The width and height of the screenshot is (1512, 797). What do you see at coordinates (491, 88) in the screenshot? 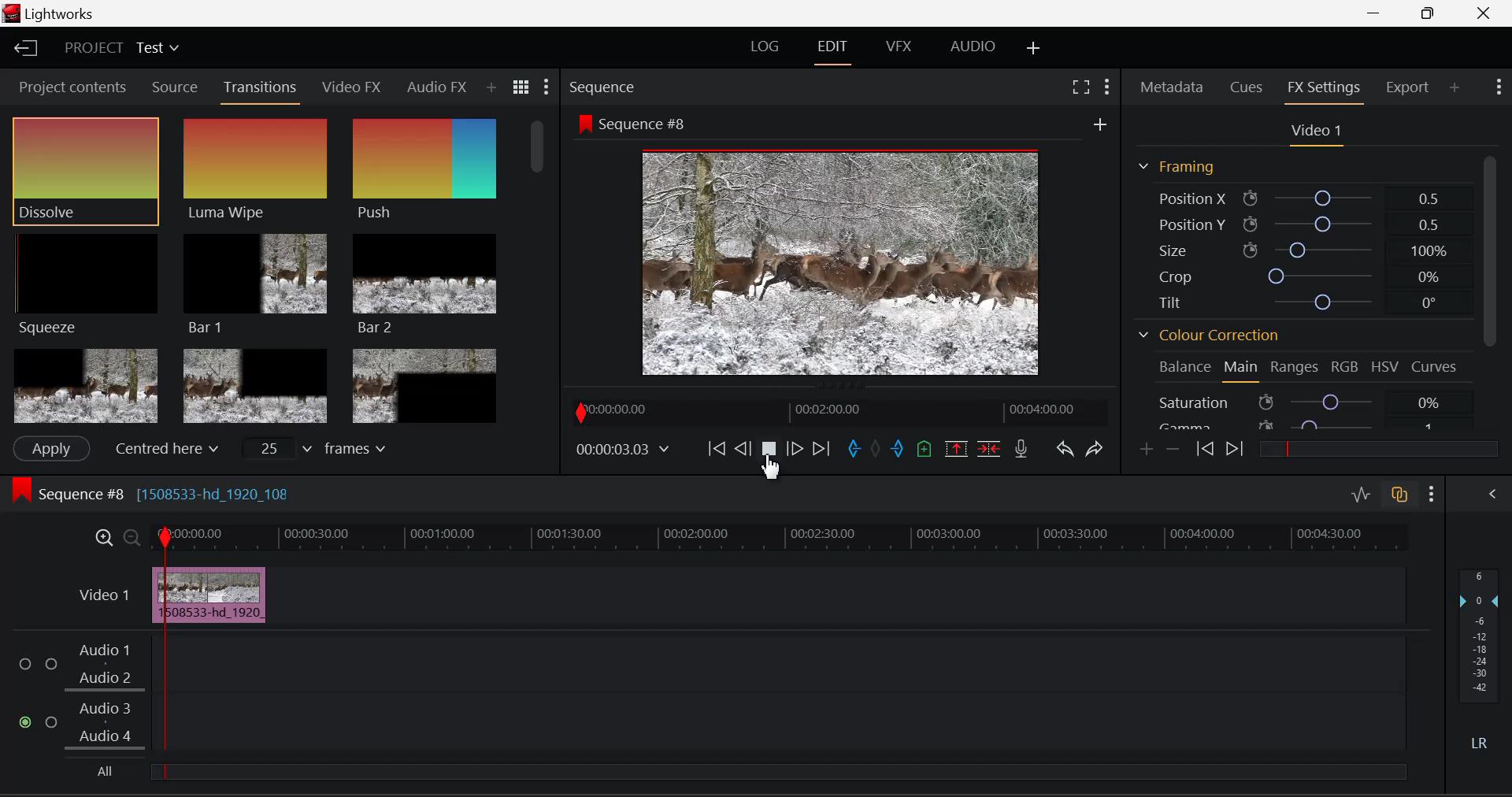
I see `Add Panel` at bounding box center [491, 88].